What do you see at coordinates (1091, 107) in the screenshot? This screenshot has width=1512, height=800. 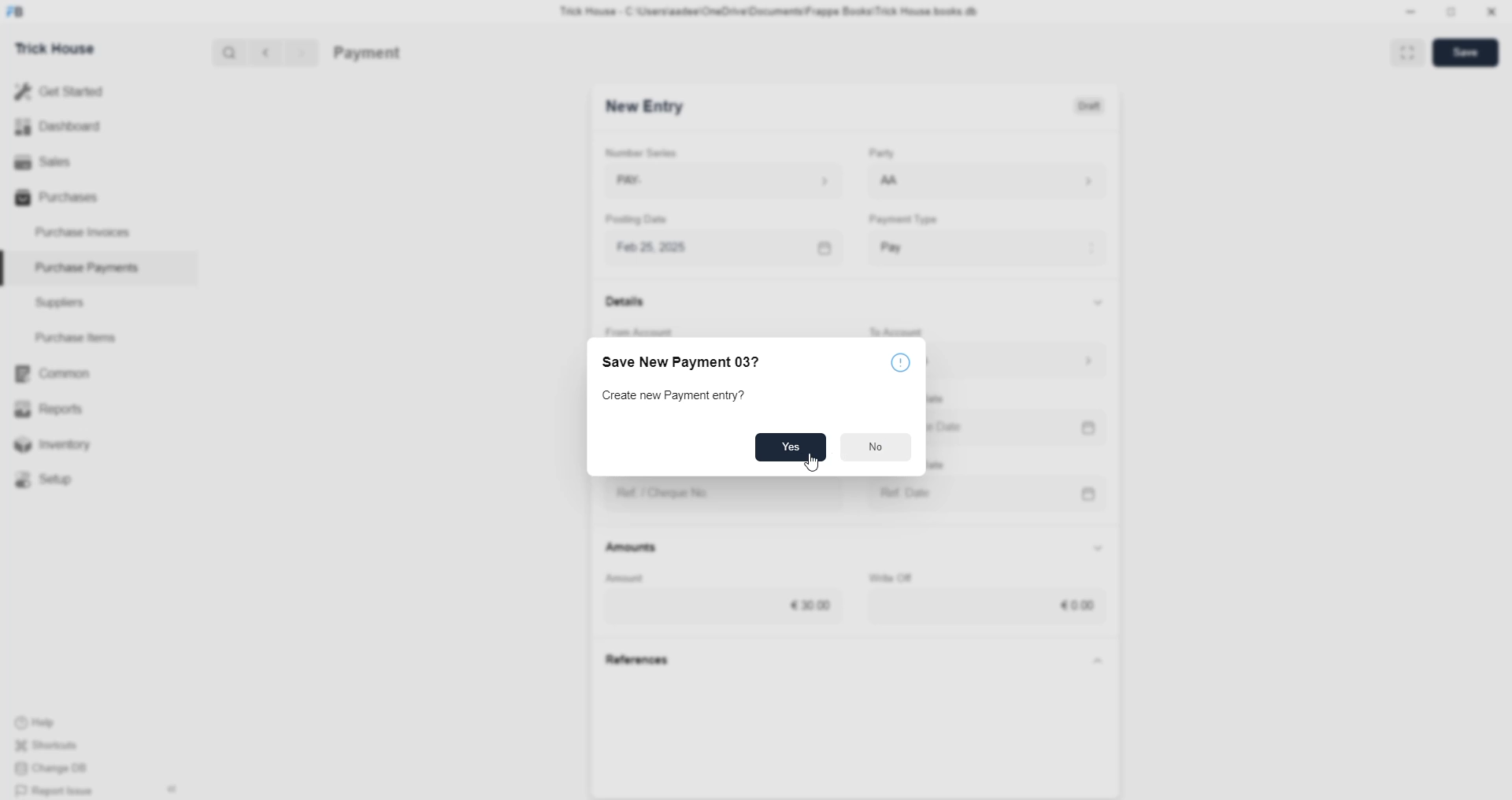 I see `Draft` at bounding box center [1091, 107].